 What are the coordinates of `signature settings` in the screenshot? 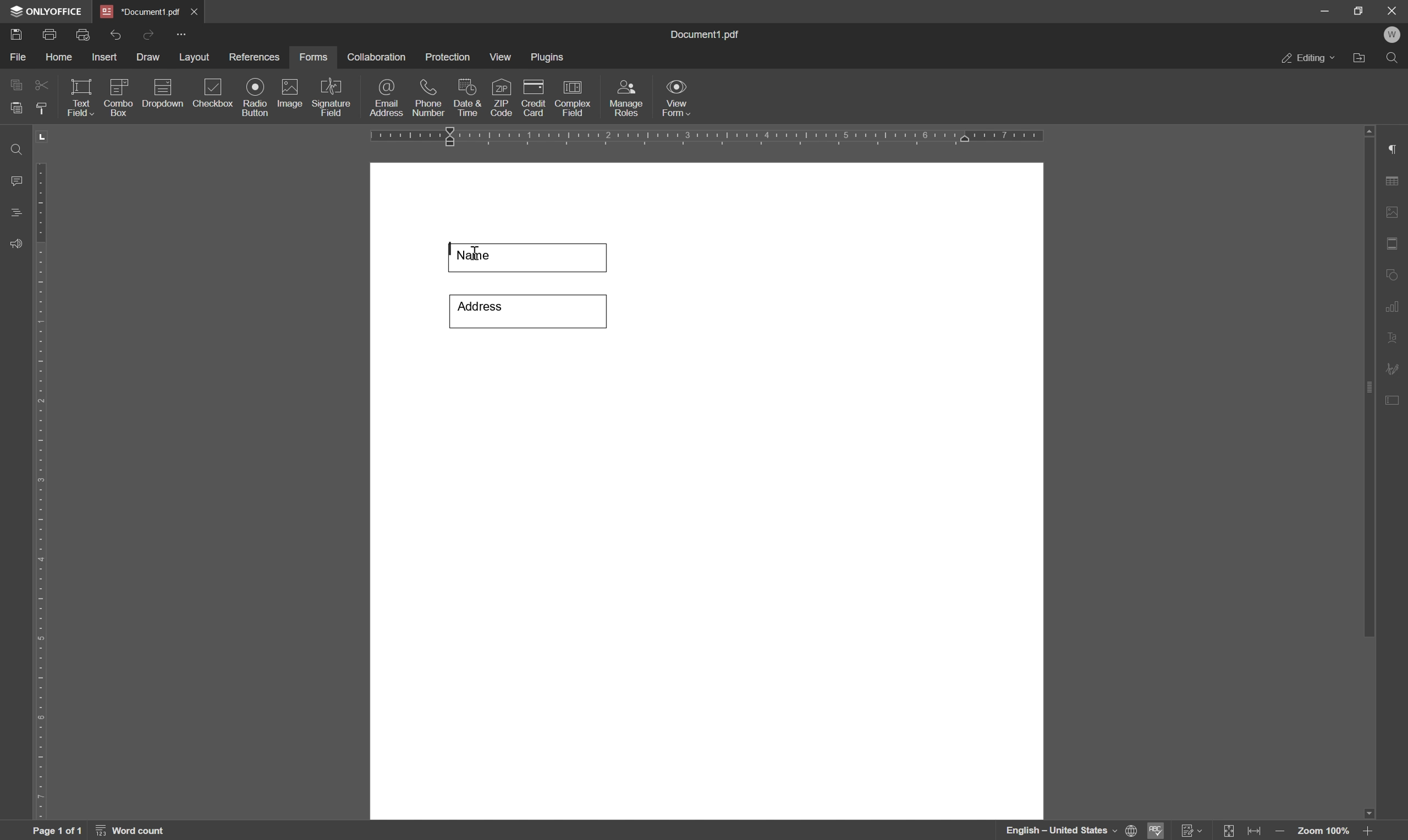 It's located at (1396, 368).